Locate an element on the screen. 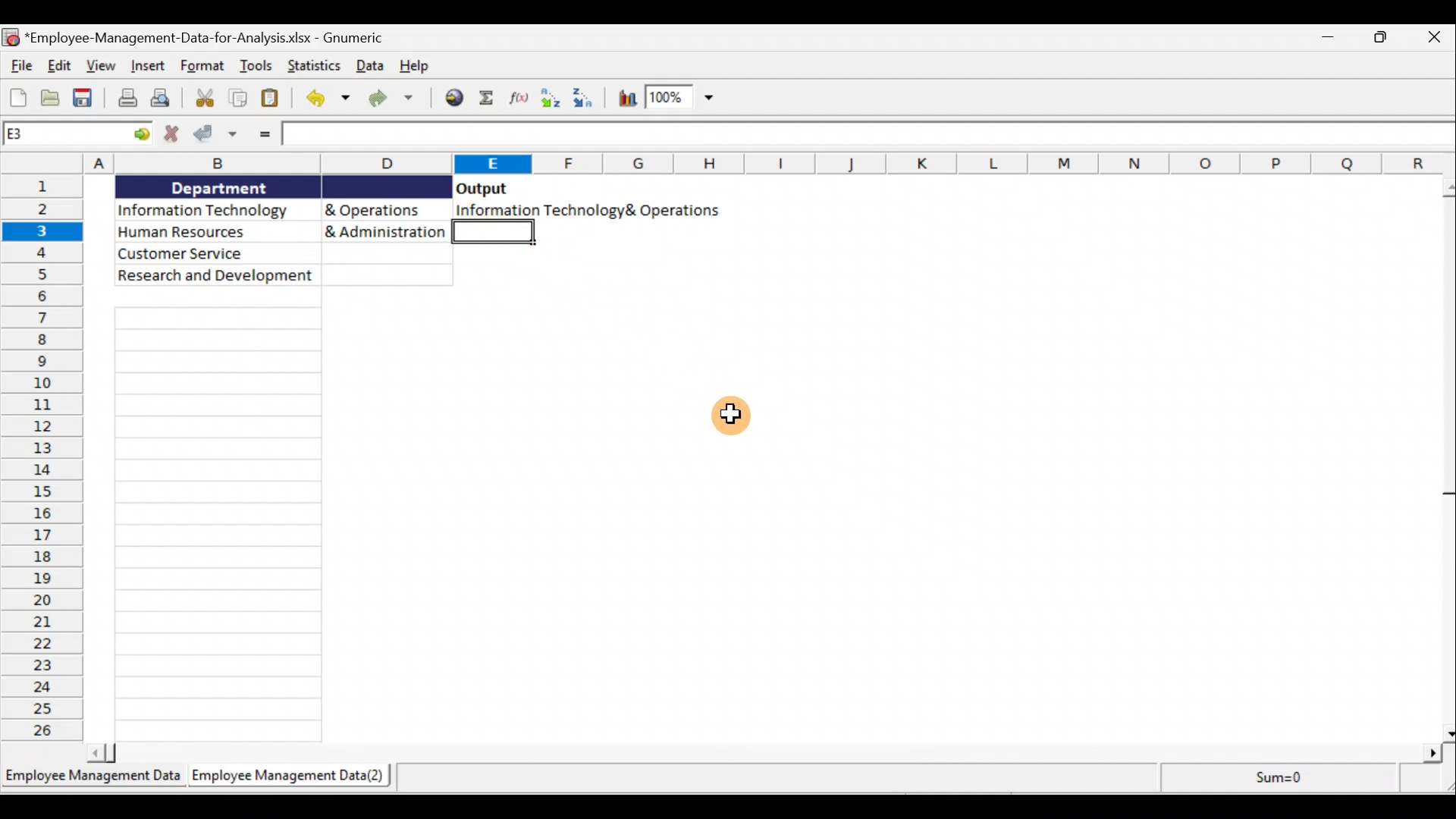 The height and width of the screenshot is (819, 1456). Statistics is located at coordinates (316, 67).